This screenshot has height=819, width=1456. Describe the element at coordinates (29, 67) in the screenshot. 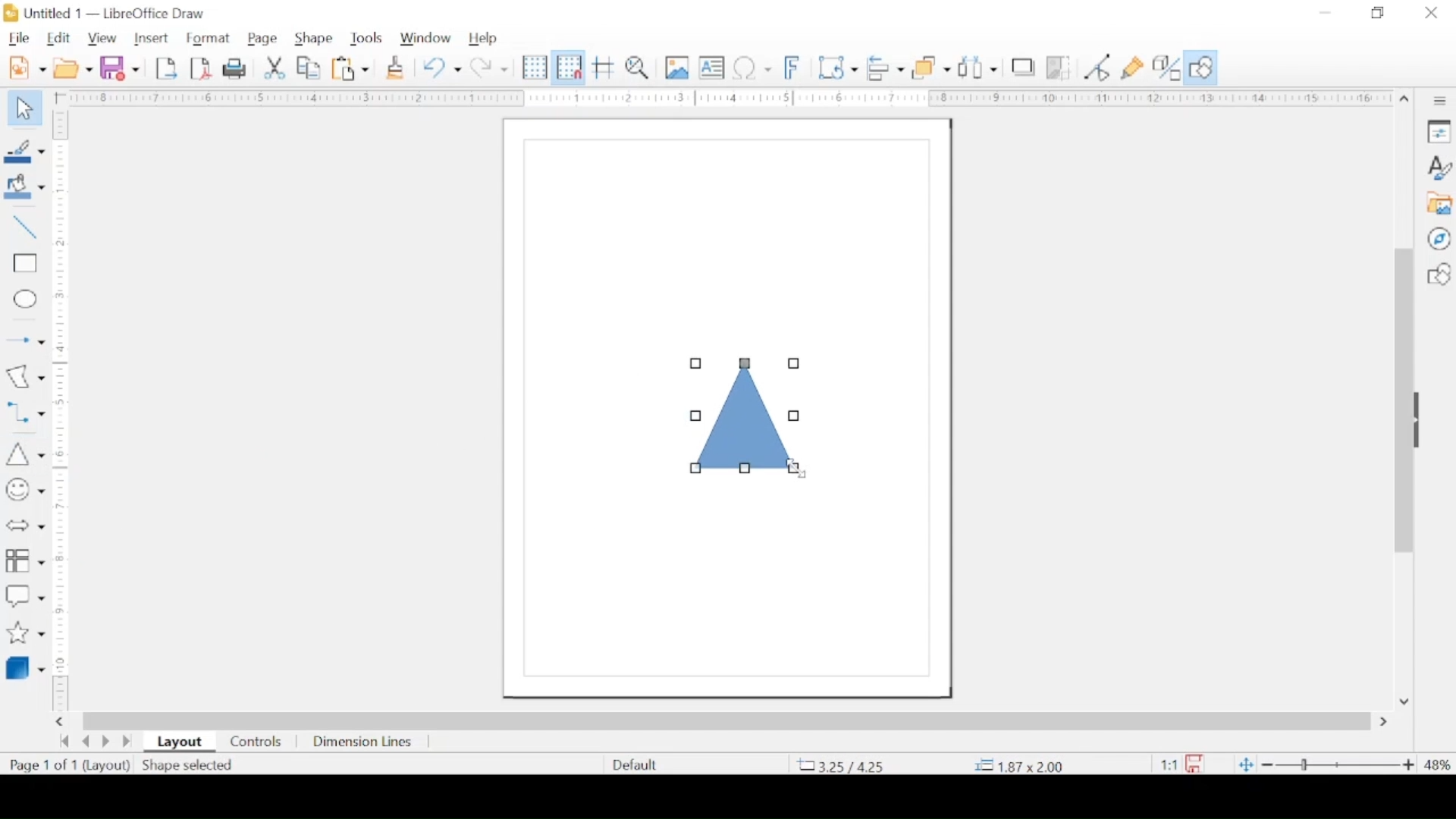

I see `new` at that location.